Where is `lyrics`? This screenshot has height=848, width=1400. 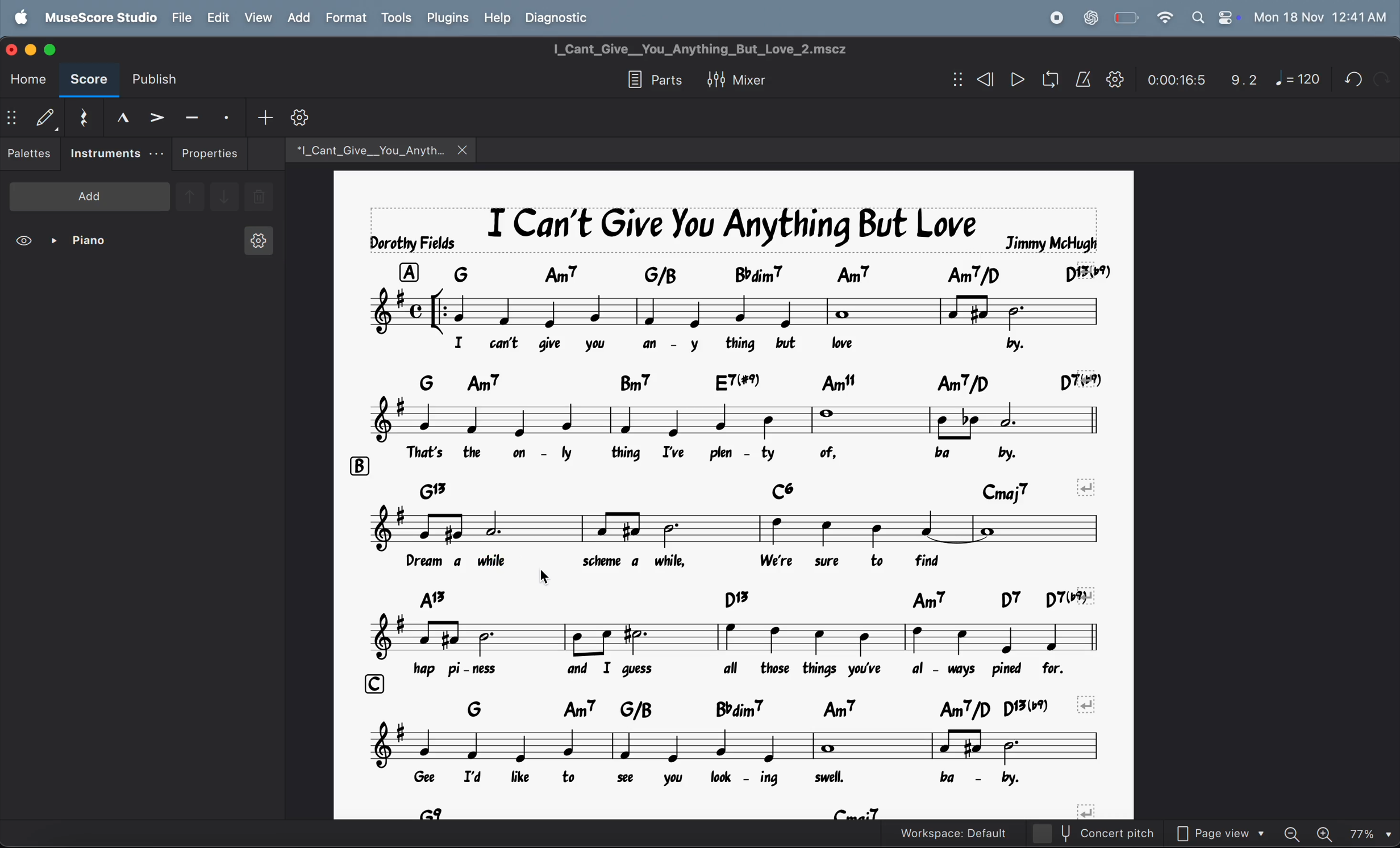
lyrics is located at coordinates (756, 346).